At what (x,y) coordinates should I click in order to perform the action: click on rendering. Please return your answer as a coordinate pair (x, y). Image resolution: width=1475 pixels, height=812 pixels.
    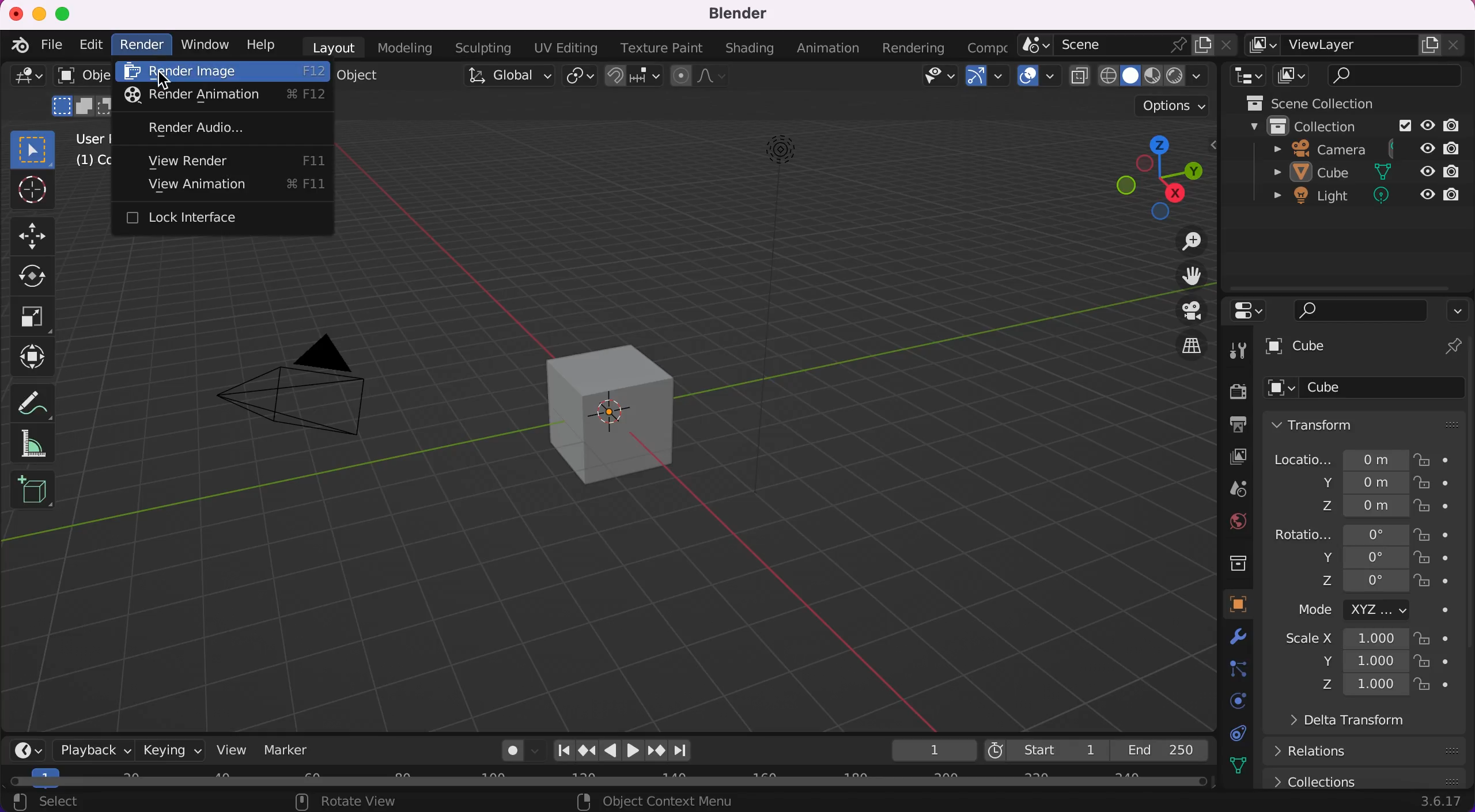
    Looking at the image, I should click on (912, 48).